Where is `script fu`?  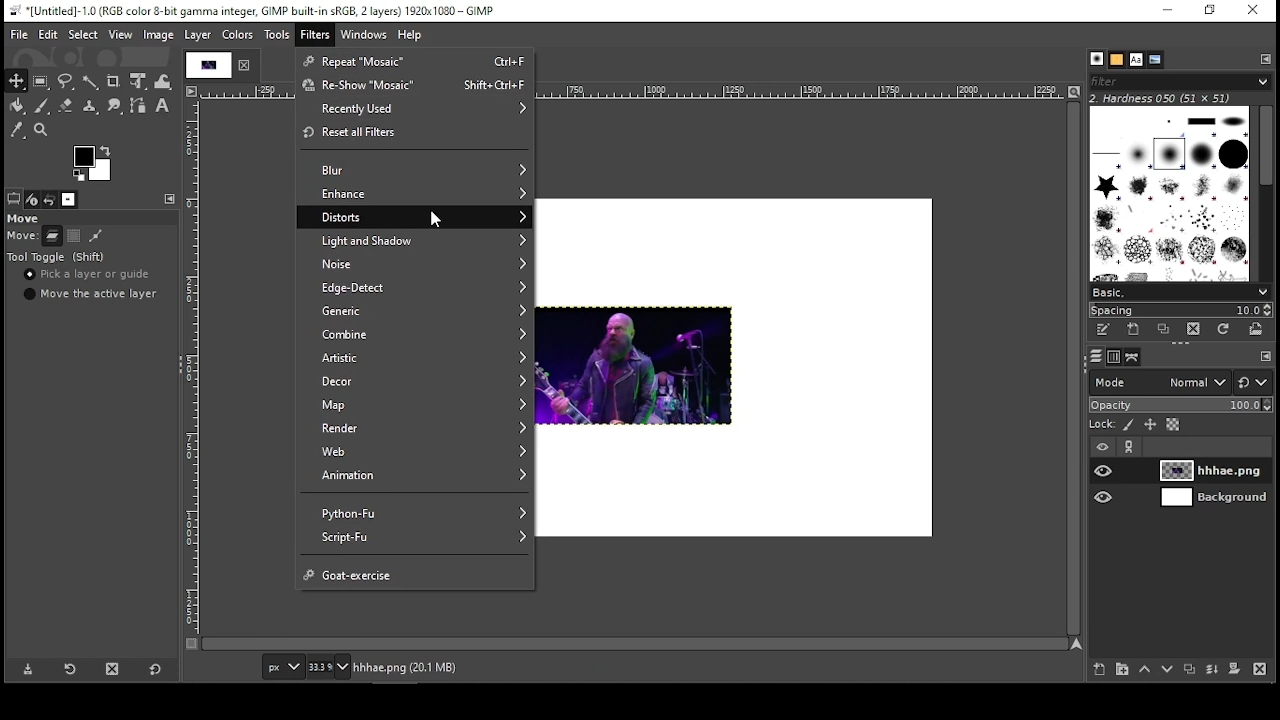
script fu is located at coordinates (417, 540).